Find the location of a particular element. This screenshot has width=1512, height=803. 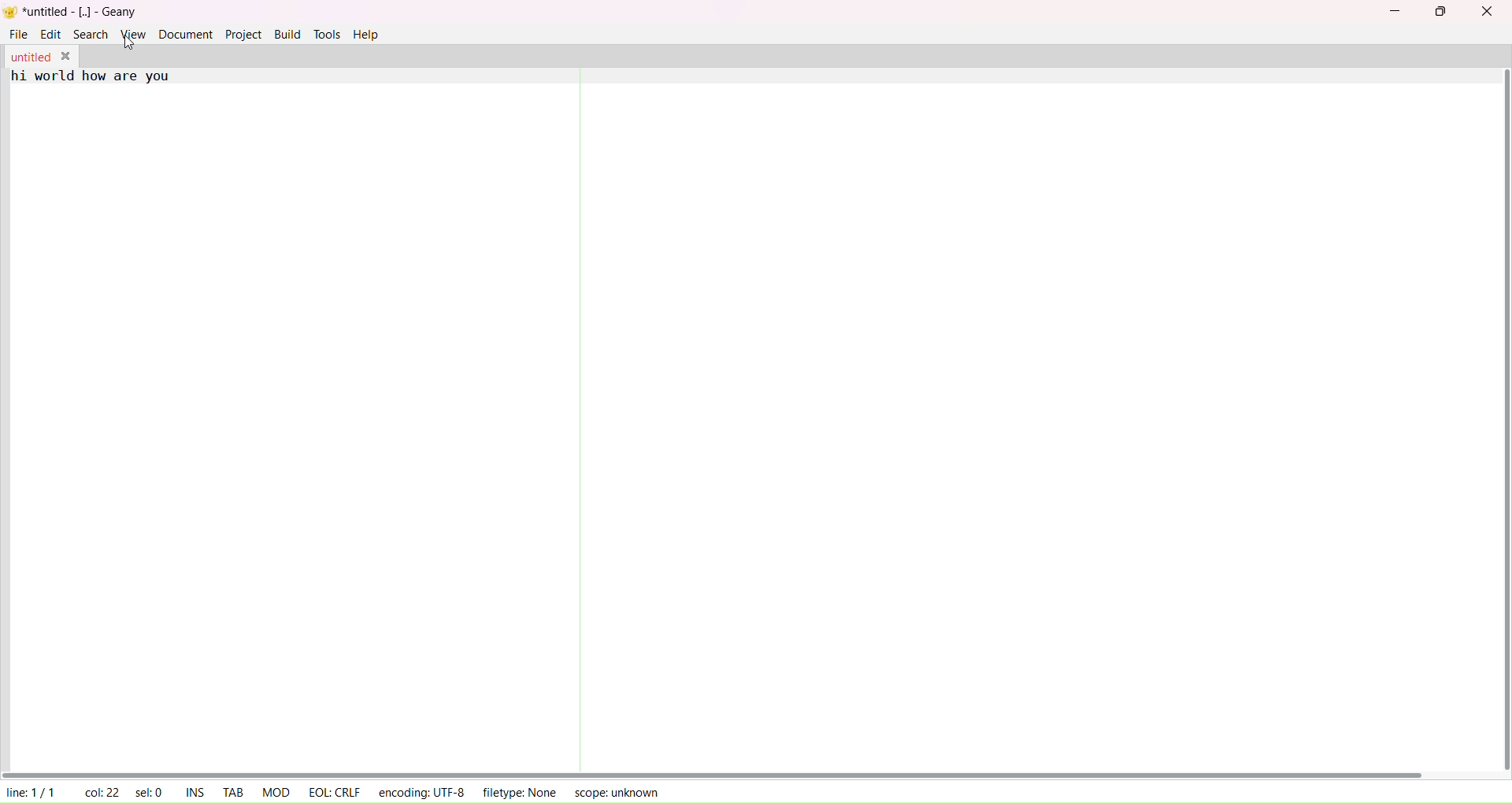

logo is located at coordinates (12, 12).